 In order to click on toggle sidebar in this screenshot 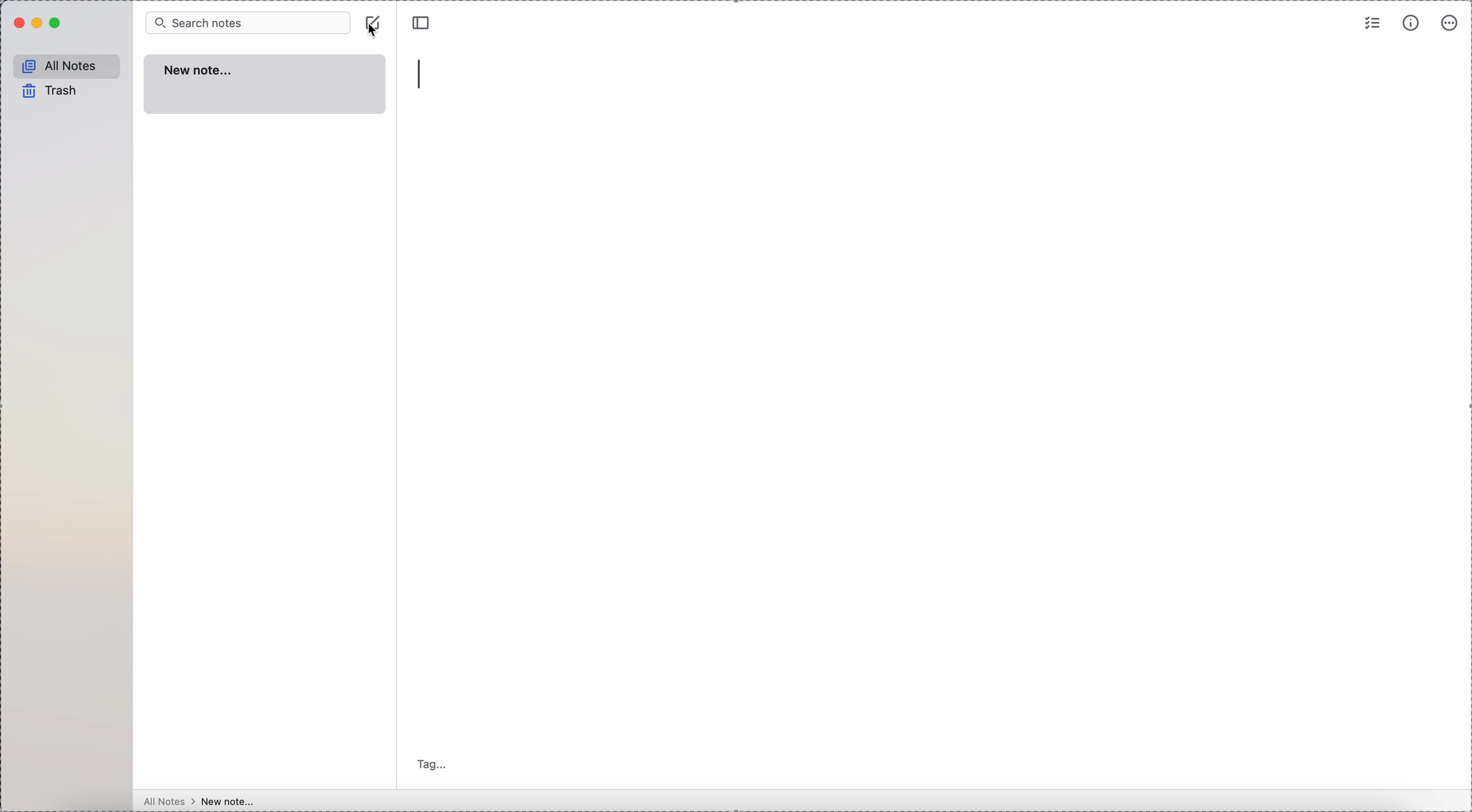, I will do `click(419, 23)`.